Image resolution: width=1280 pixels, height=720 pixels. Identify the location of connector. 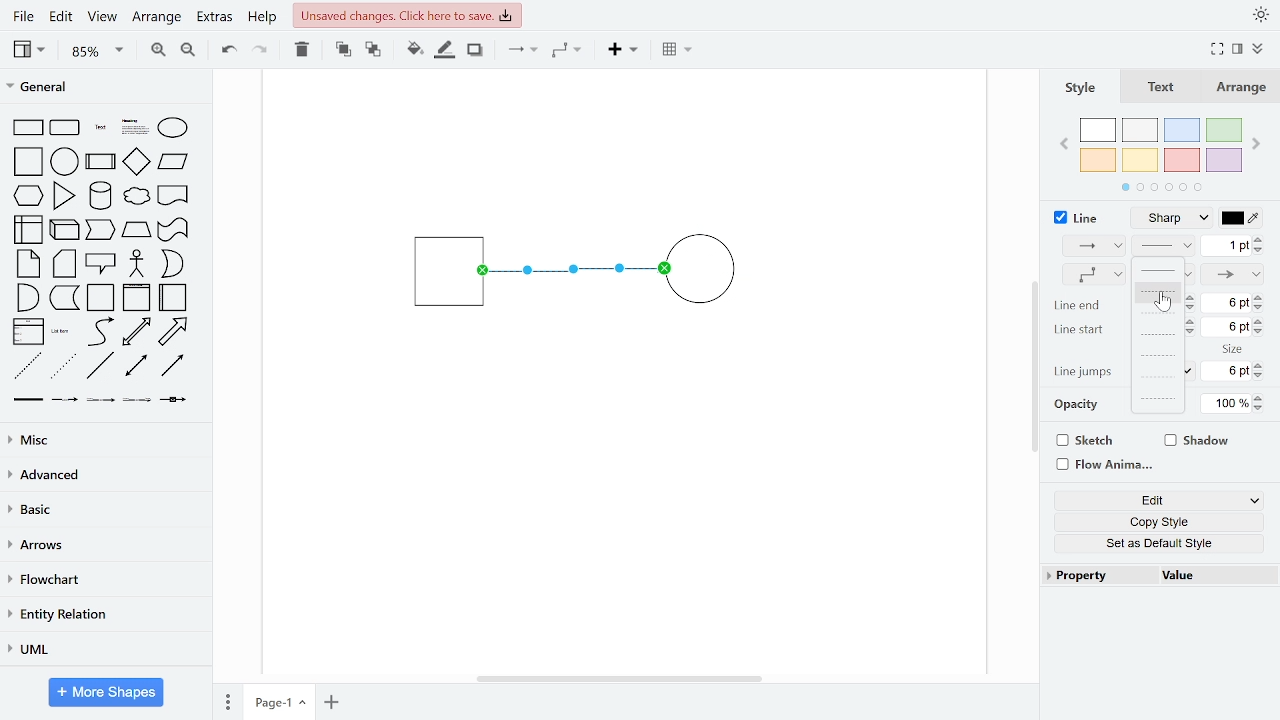
(522, 51).